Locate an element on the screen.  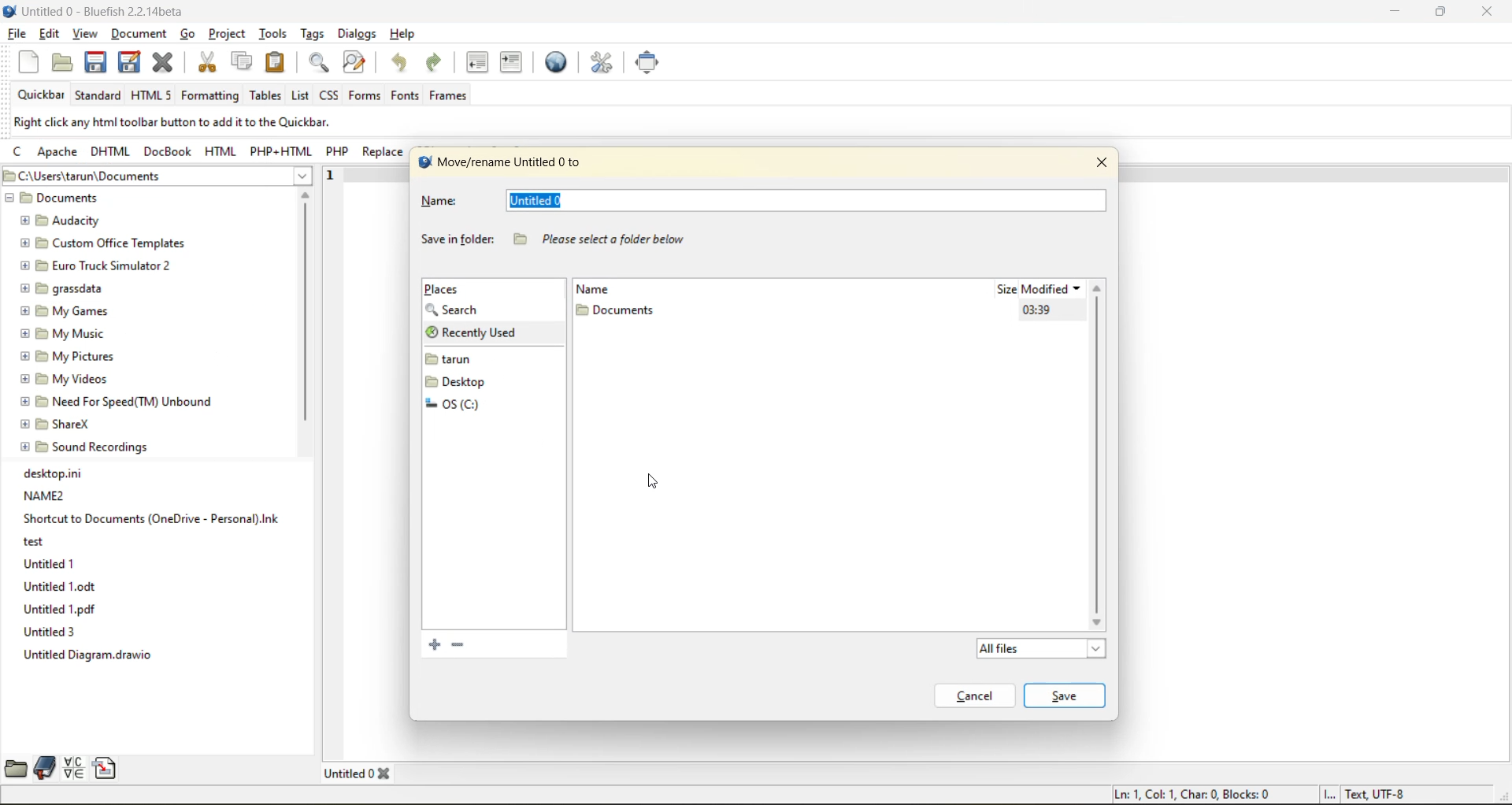
file location is located at coordinates (141, 176).